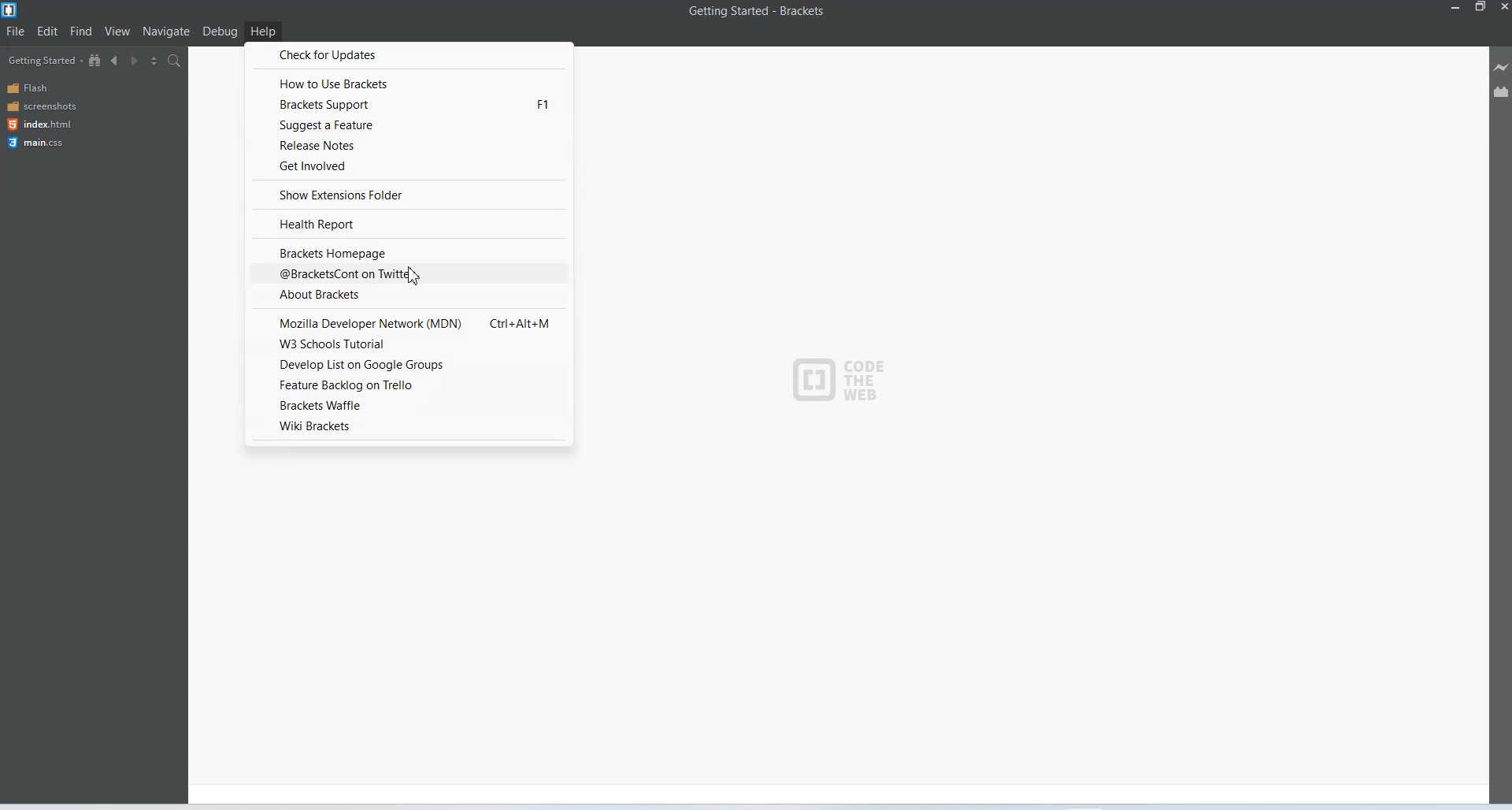 The image size is (1512, 810). What do you see at coordinates (408, 80) in the screenshot?
I see `How to use brackets` at bounding box center [408, 80].